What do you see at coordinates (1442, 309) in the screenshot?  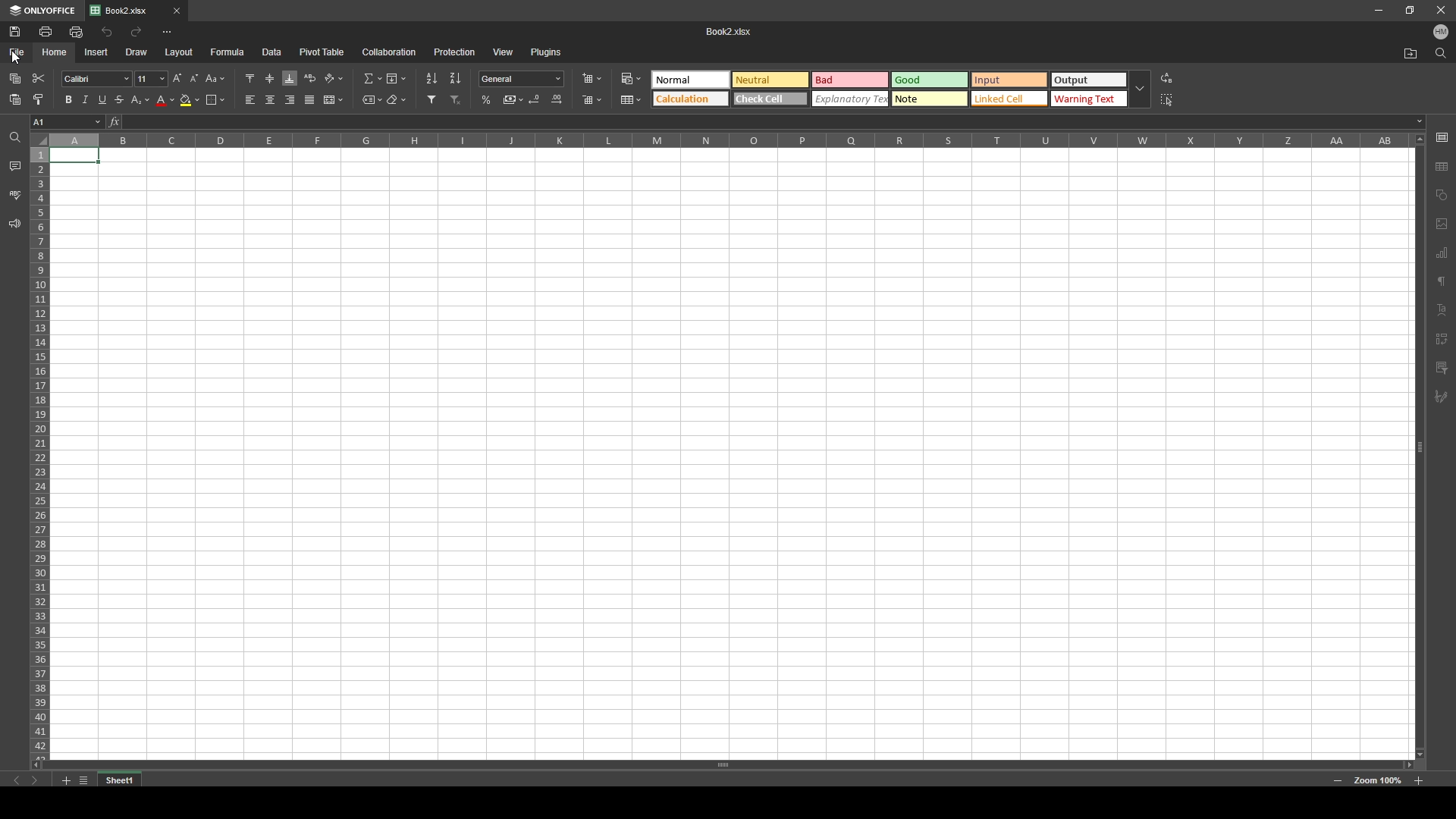 I see `text align` at bounding box center [1442, 309].